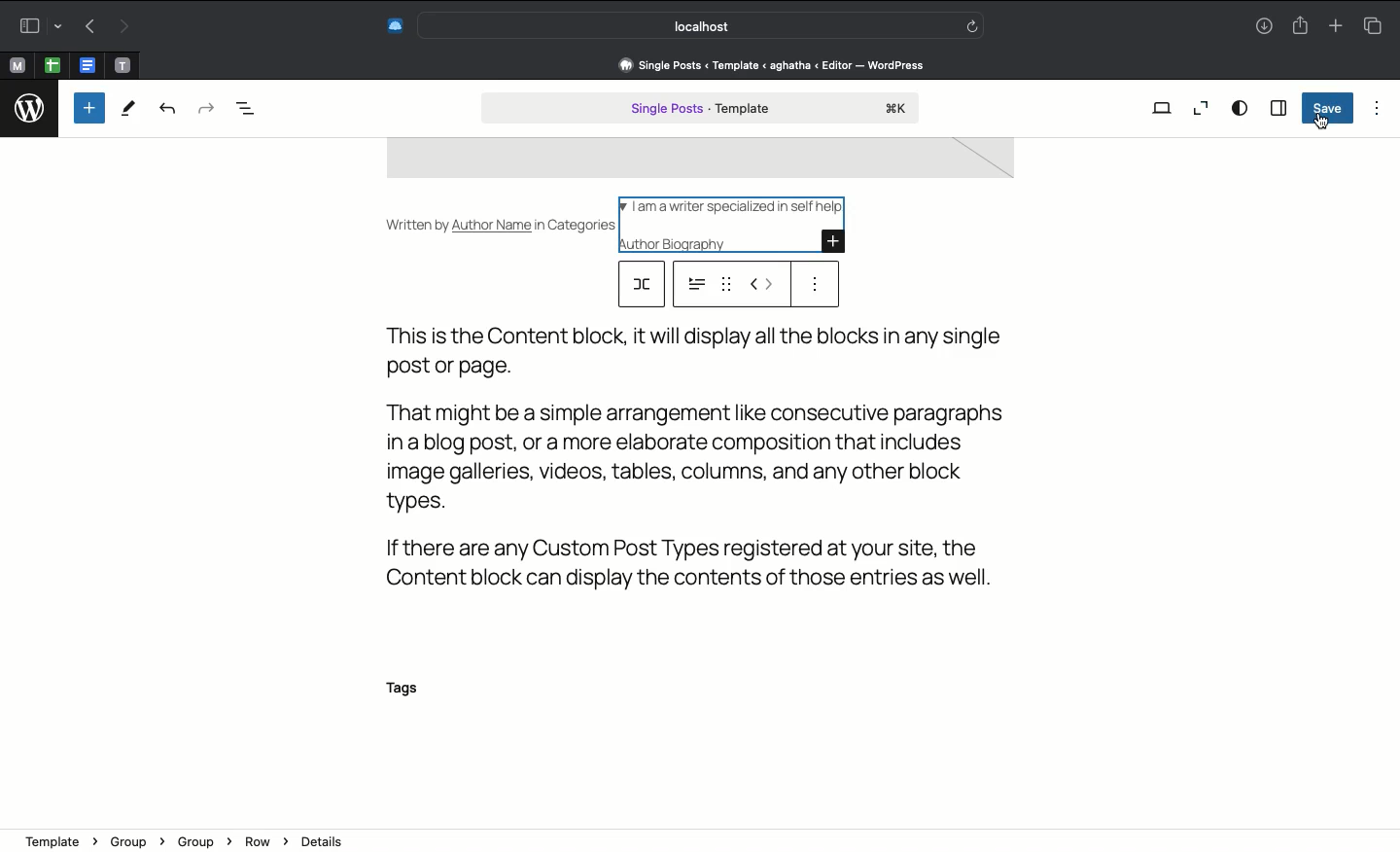 The image size is (1400, 852). I want to click on View options, so click(1240, 107).